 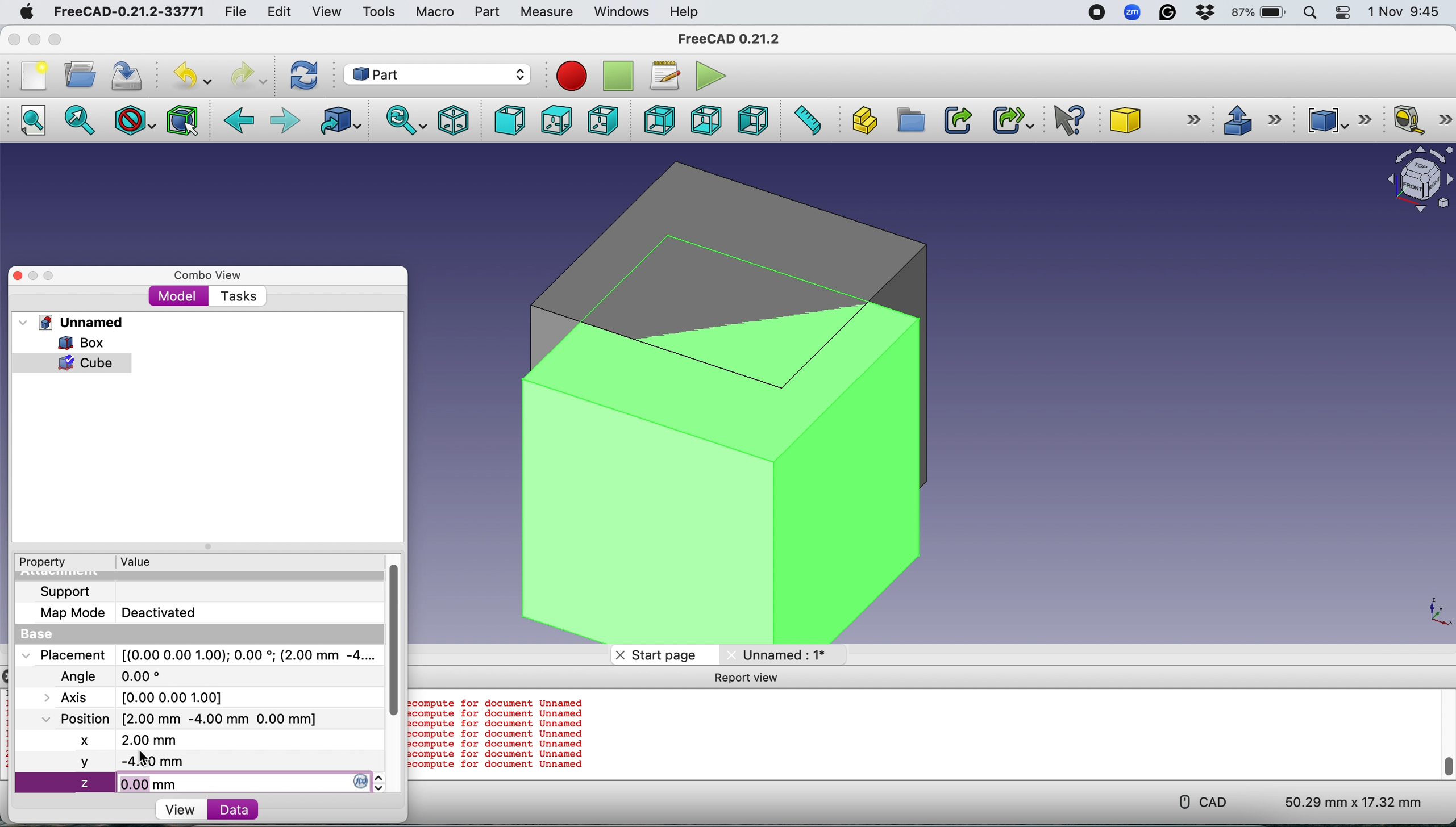 What do you see at coordinates (909, 120) in the screenshot?
I see `Create group` at bounding box center [909, 120].